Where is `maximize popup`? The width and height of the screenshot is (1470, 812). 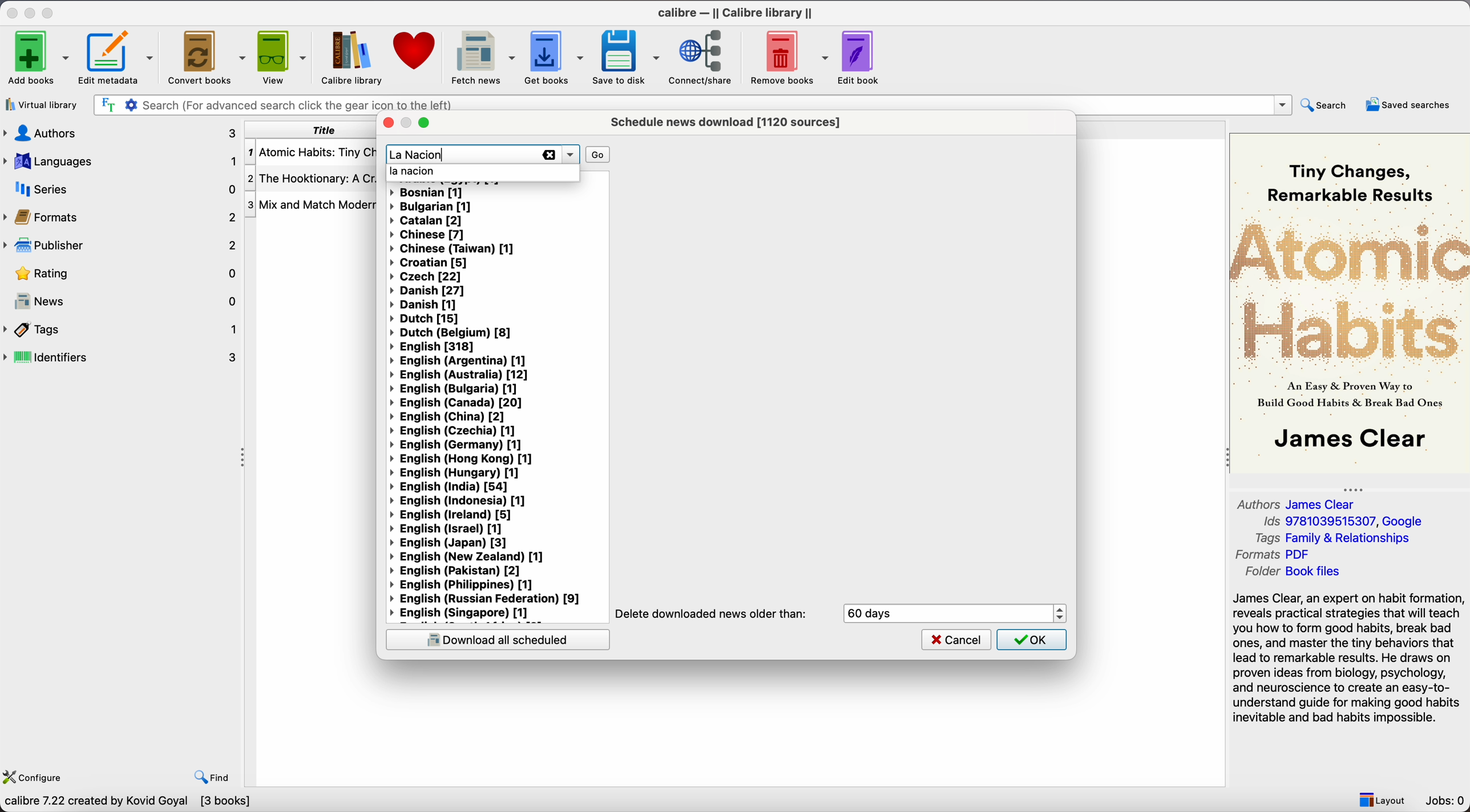 maximize popup is located at coordinates (423, 123).